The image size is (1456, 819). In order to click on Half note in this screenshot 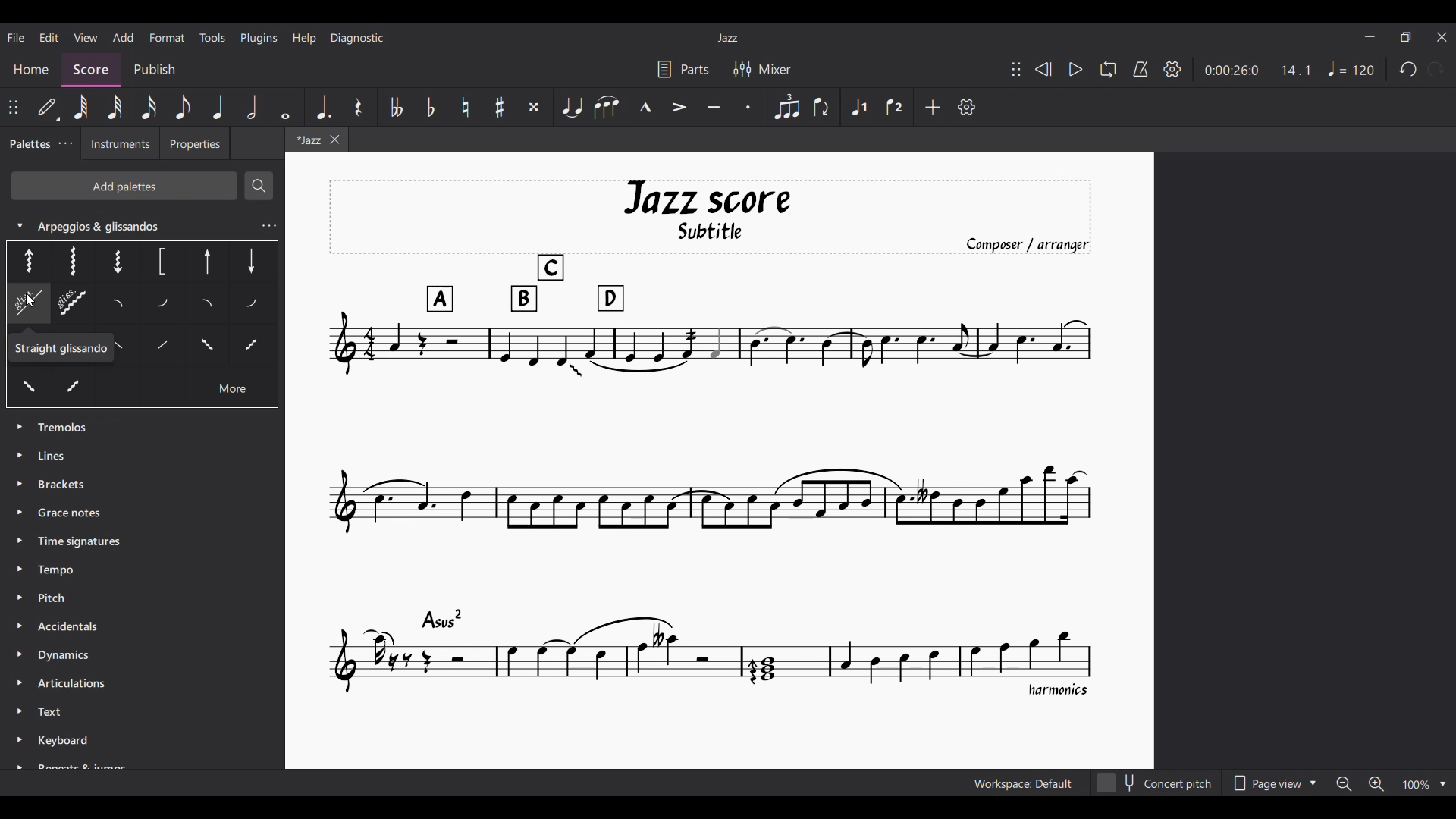, I will do `click(253, 107)`.